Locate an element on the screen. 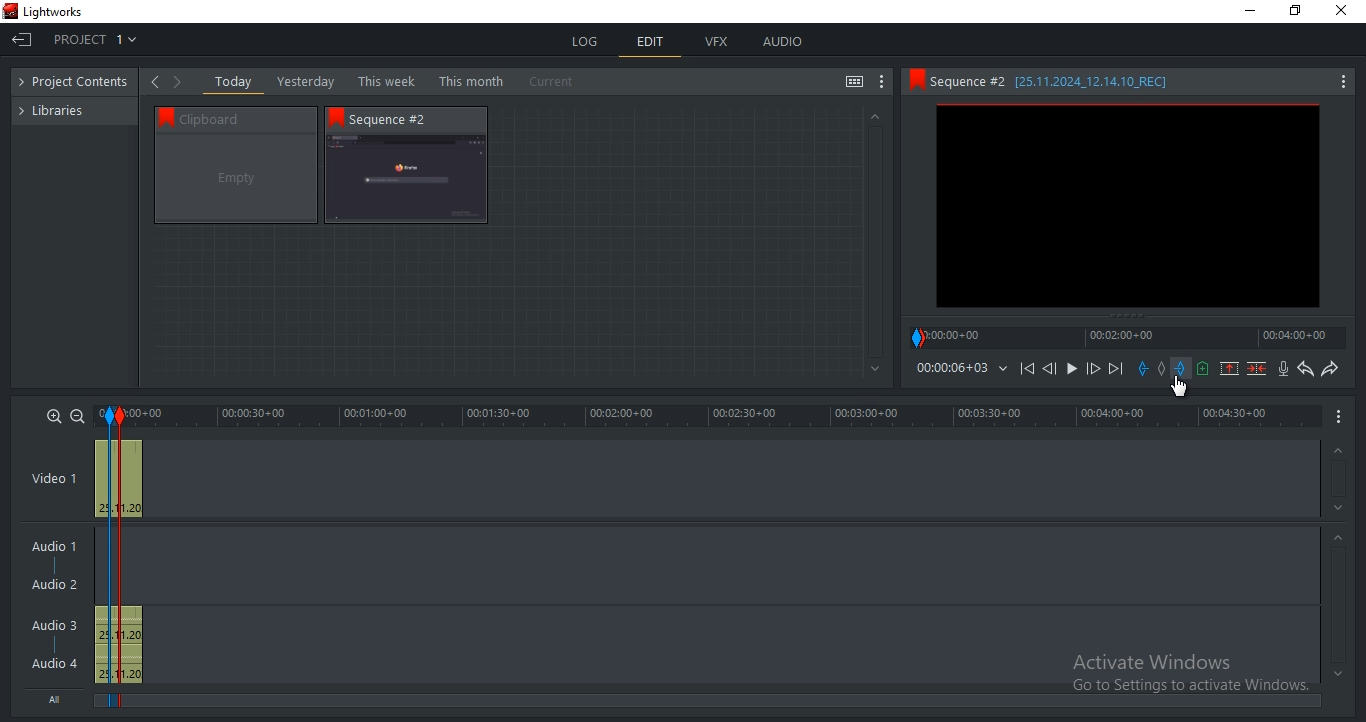  All is located at coordinates (59, 697).